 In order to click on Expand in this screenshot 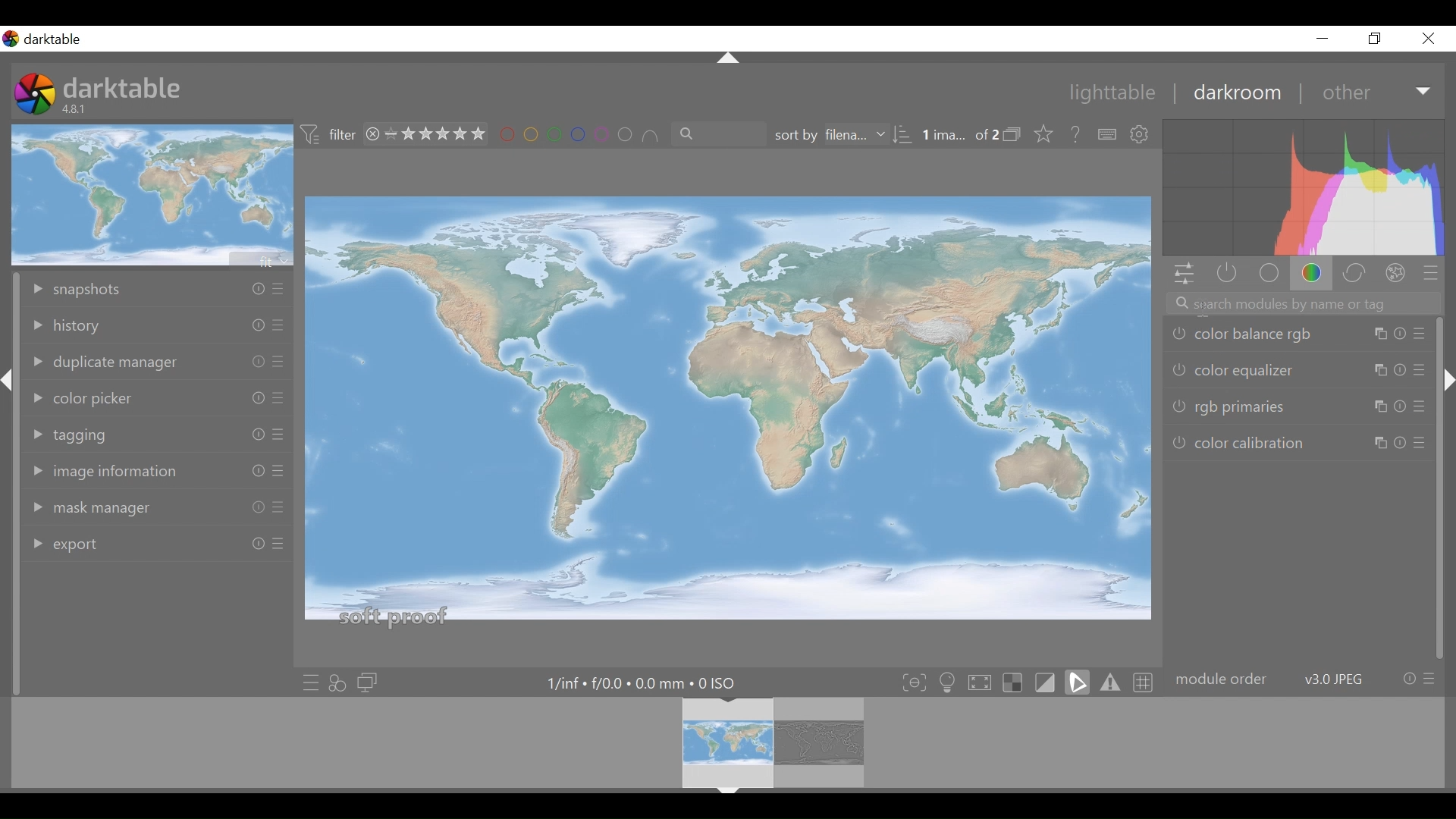, I will do `click(1425, 93)`.